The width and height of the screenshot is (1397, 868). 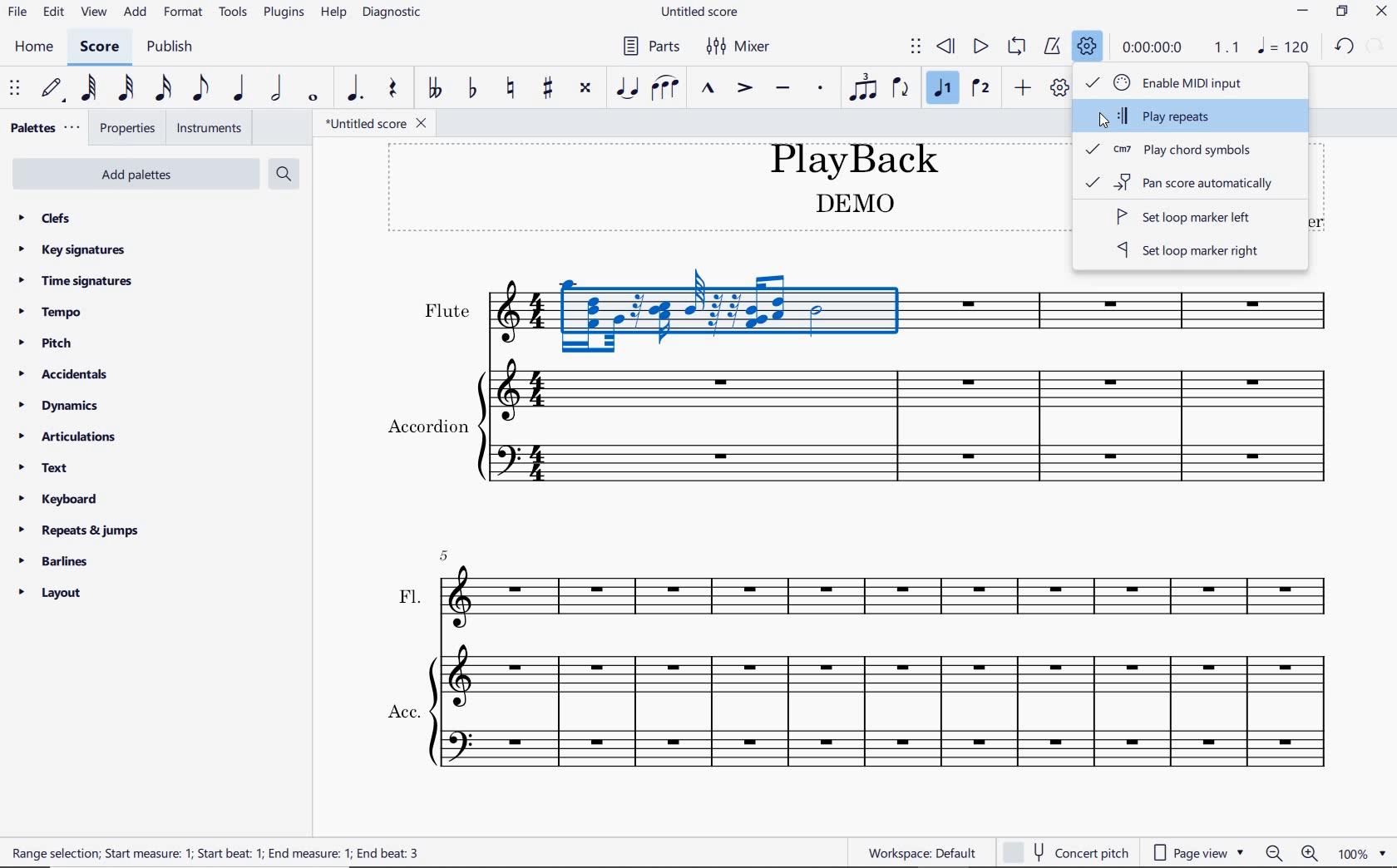 What do you see at coordinates (185, 11) in the screenshot?
I see `format` at bounding box center [185, 11].